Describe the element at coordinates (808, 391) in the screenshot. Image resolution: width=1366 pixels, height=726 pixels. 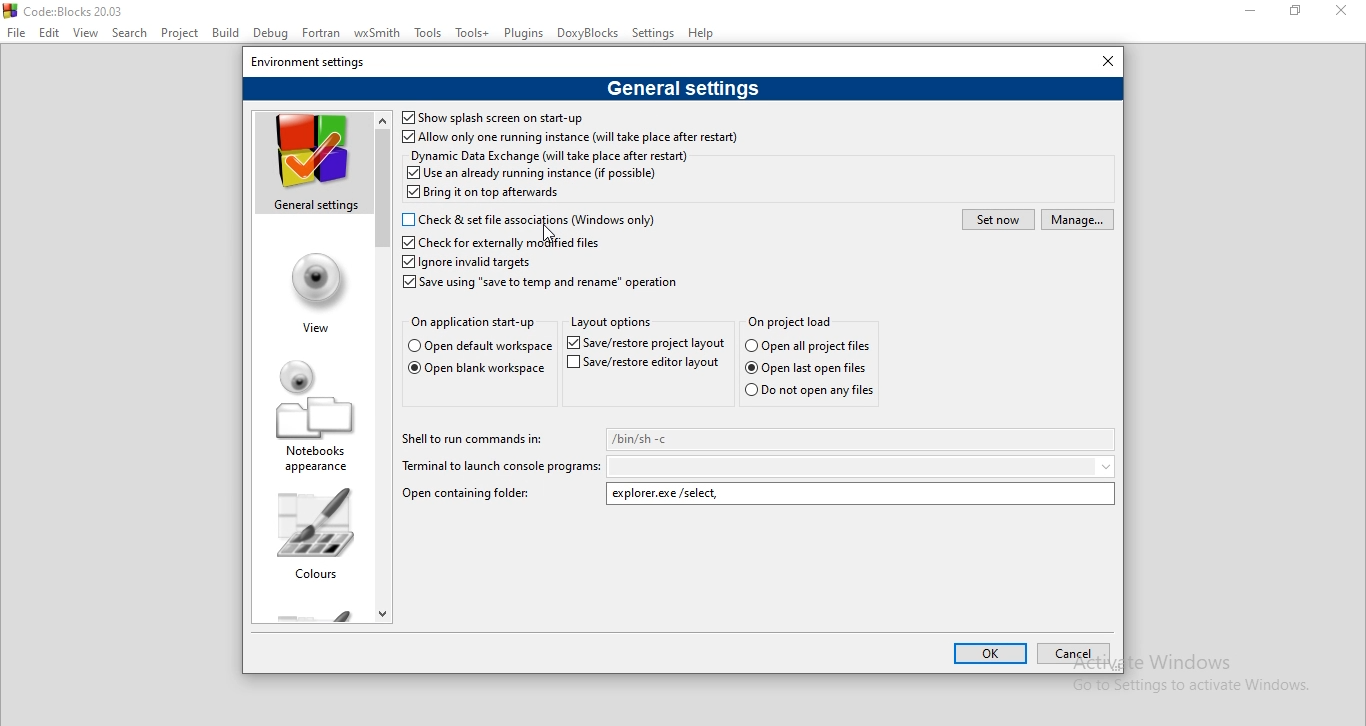
I see `Do not open any files` at that location.